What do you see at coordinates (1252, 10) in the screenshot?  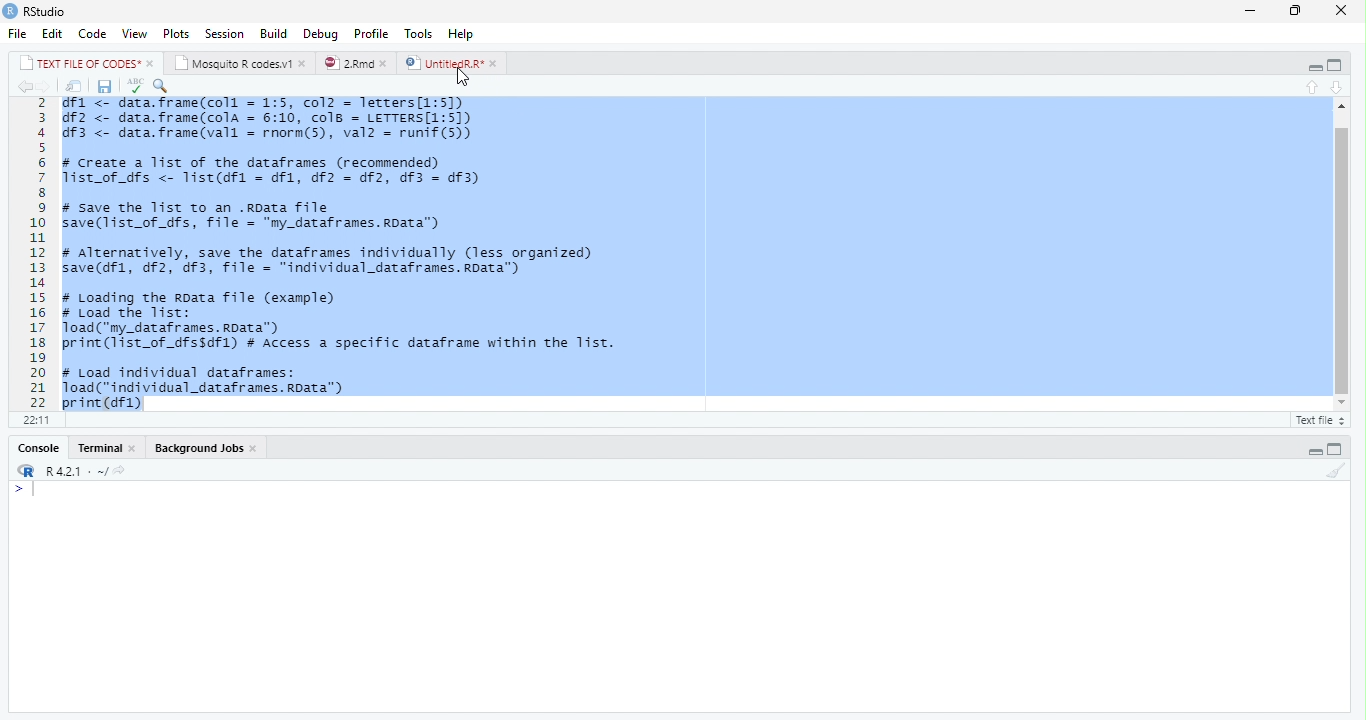 I see `Minimize` at bounding box center [1252, 10].